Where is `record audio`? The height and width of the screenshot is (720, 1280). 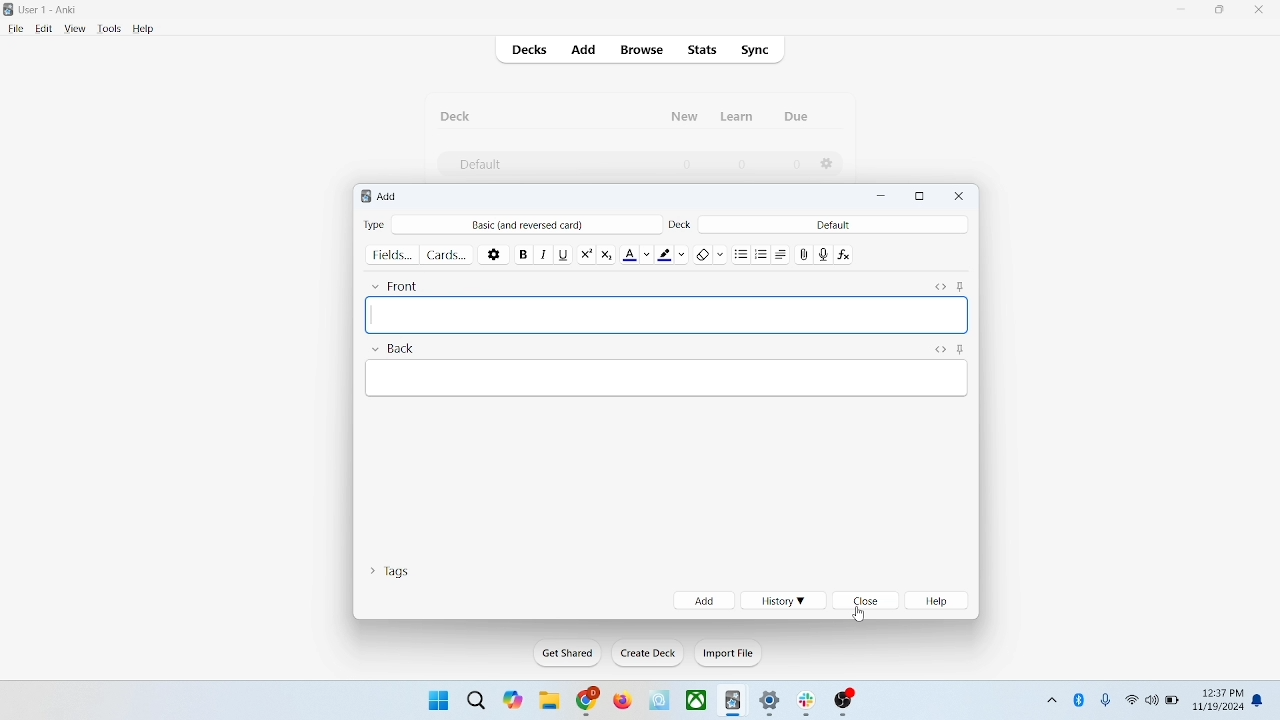 record audio is located at coordinates (824, 254).